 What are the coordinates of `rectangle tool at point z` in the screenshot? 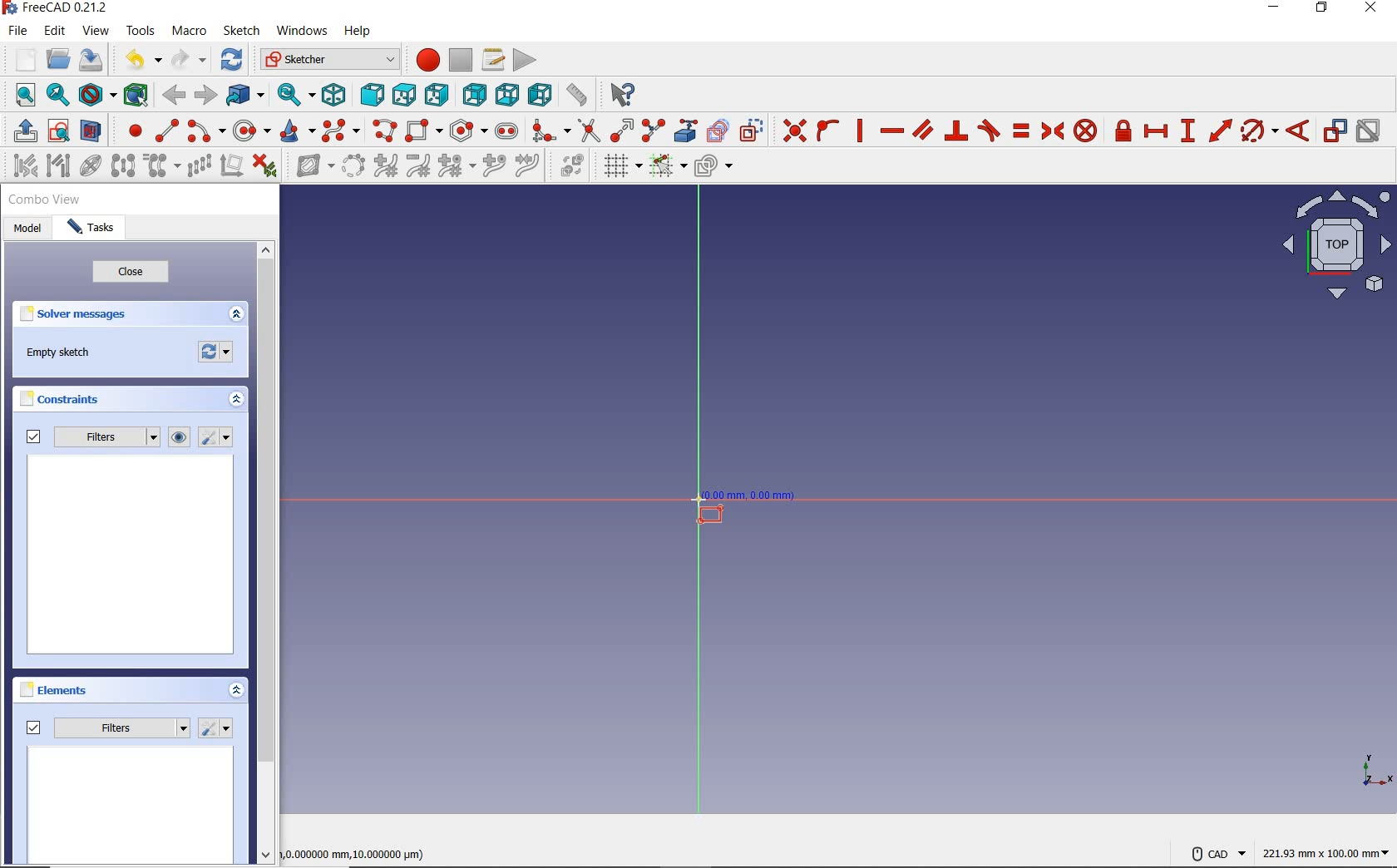 It's located at (738, 510).